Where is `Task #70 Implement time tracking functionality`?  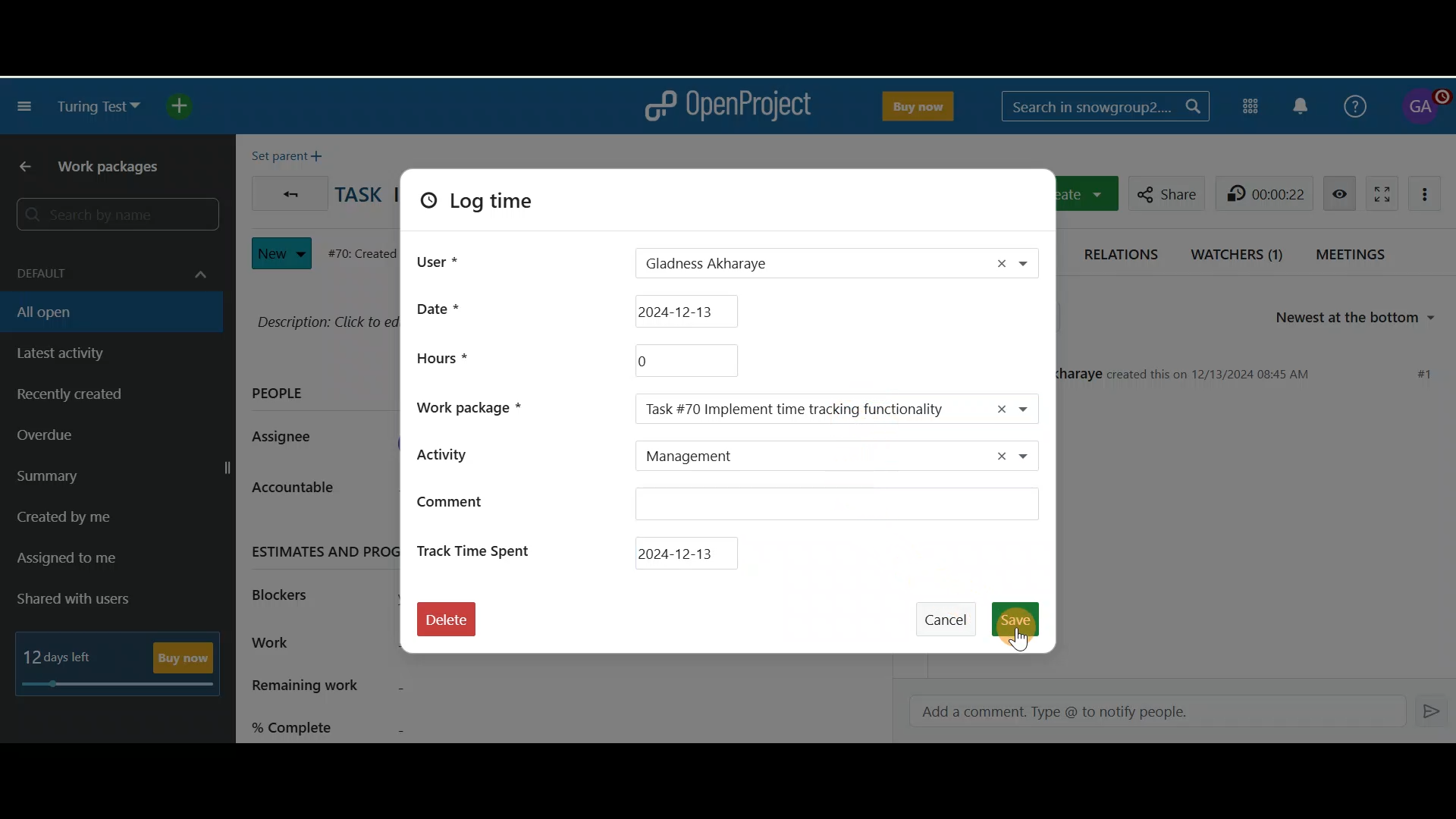
Task #70 Implement time tracking functionality is located at coordinates (802, 409).